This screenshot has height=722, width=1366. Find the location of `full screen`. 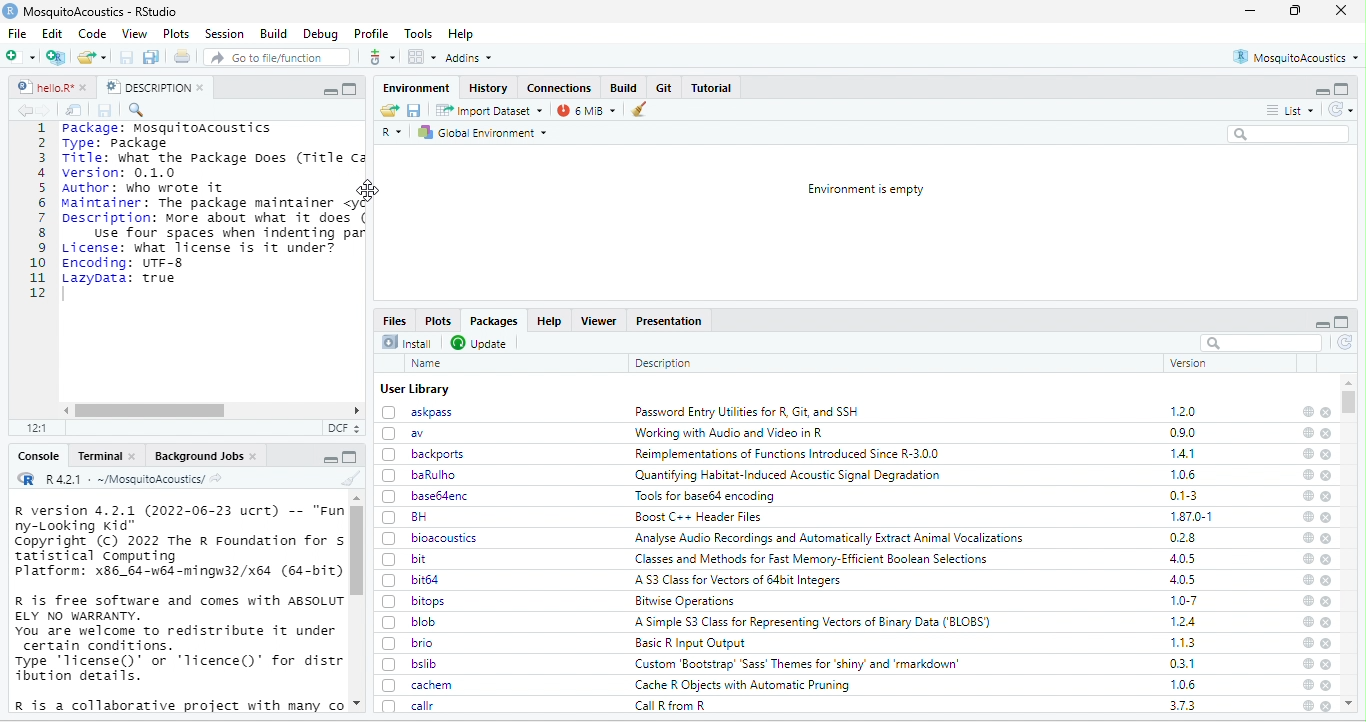

full screen is located at coordinates (350, 457).